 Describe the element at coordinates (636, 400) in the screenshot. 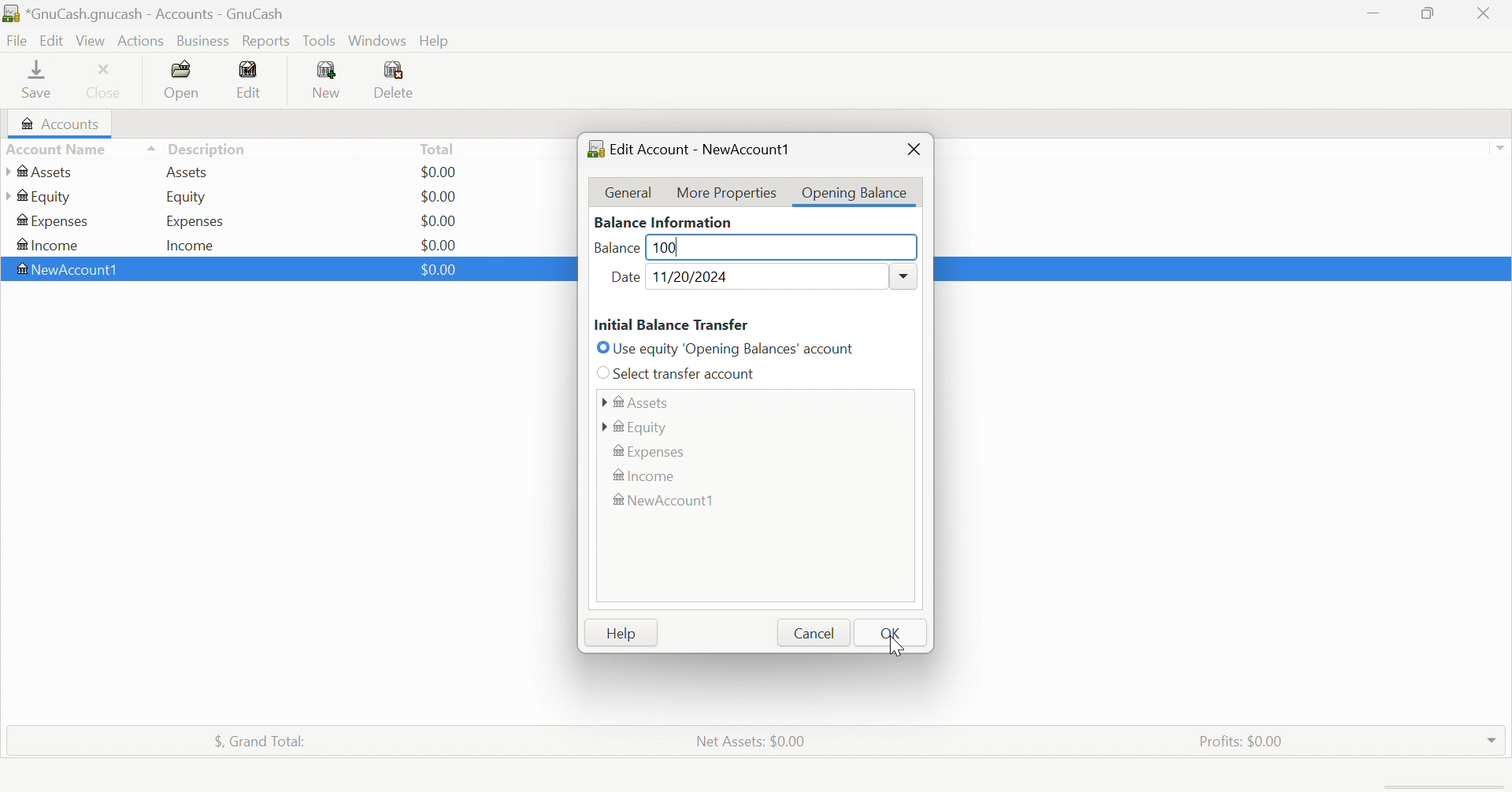

I see `Assets` at that location.